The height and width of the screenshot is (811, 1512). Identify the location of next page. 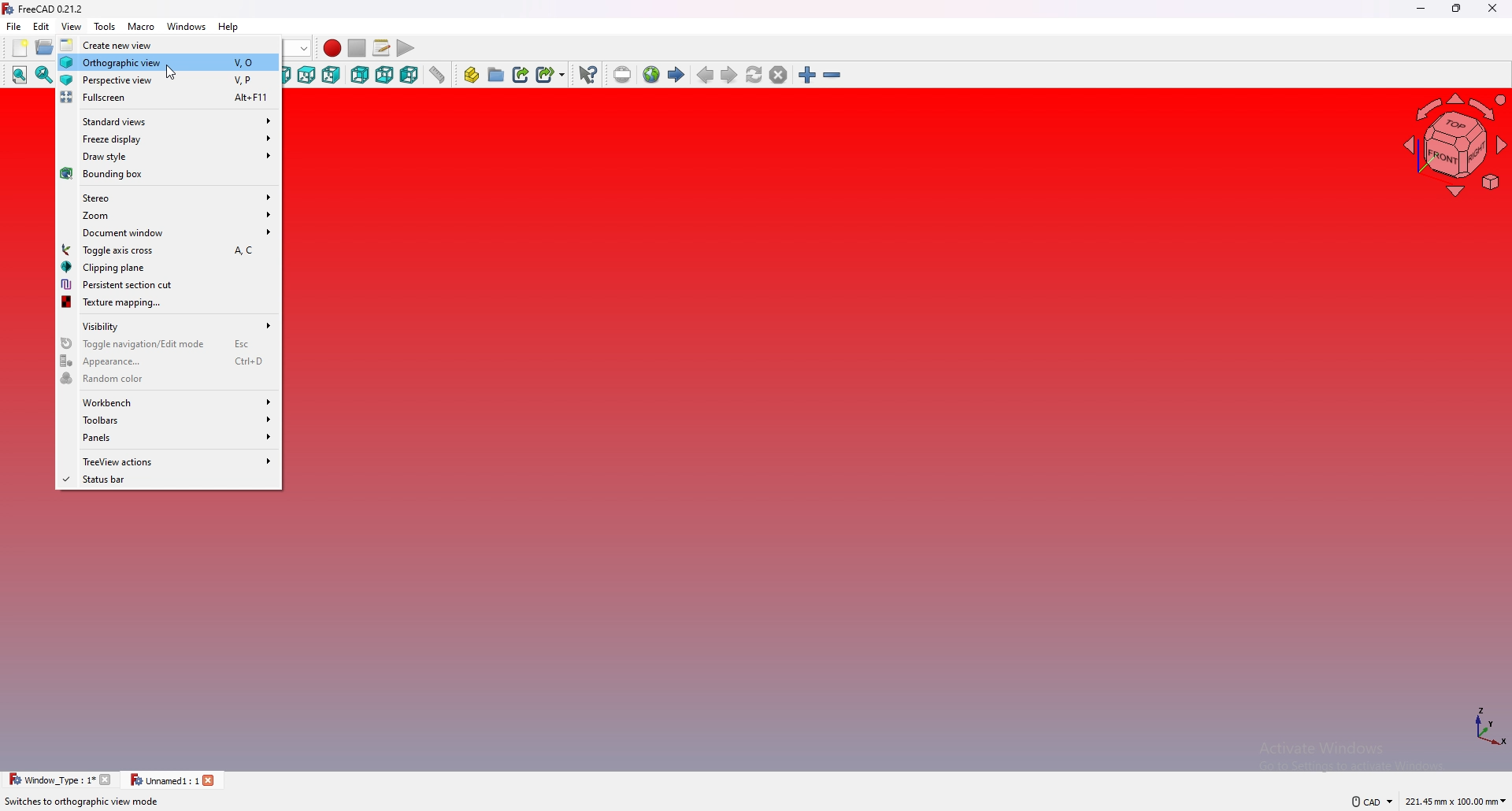
(728, 75).